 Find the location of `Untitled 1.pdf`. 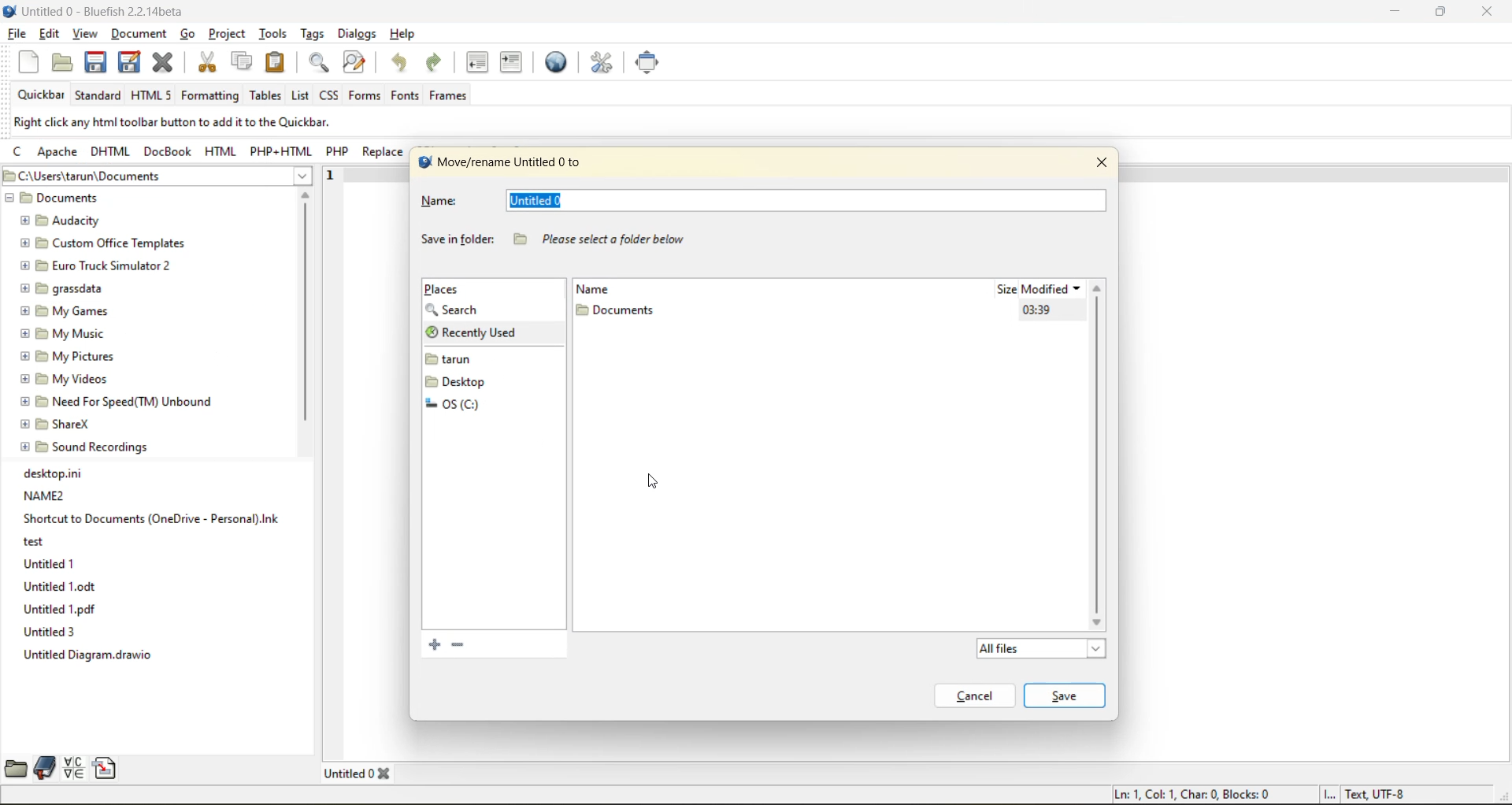

Untitled 1.pdf is located at coordinates (61, 610).